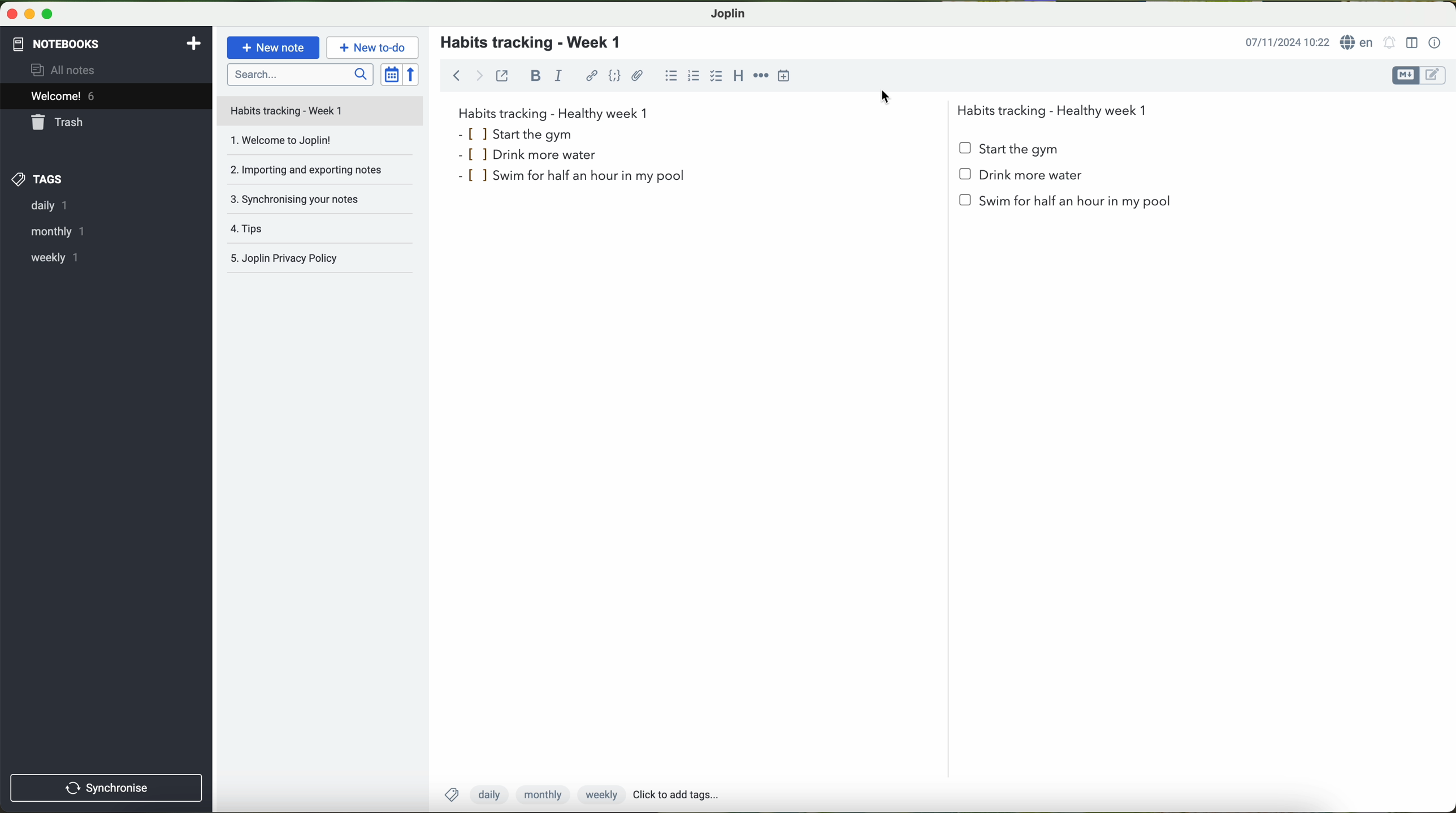 The image size is (1456, 813). I want to click on start the gym, so click(518, 133).